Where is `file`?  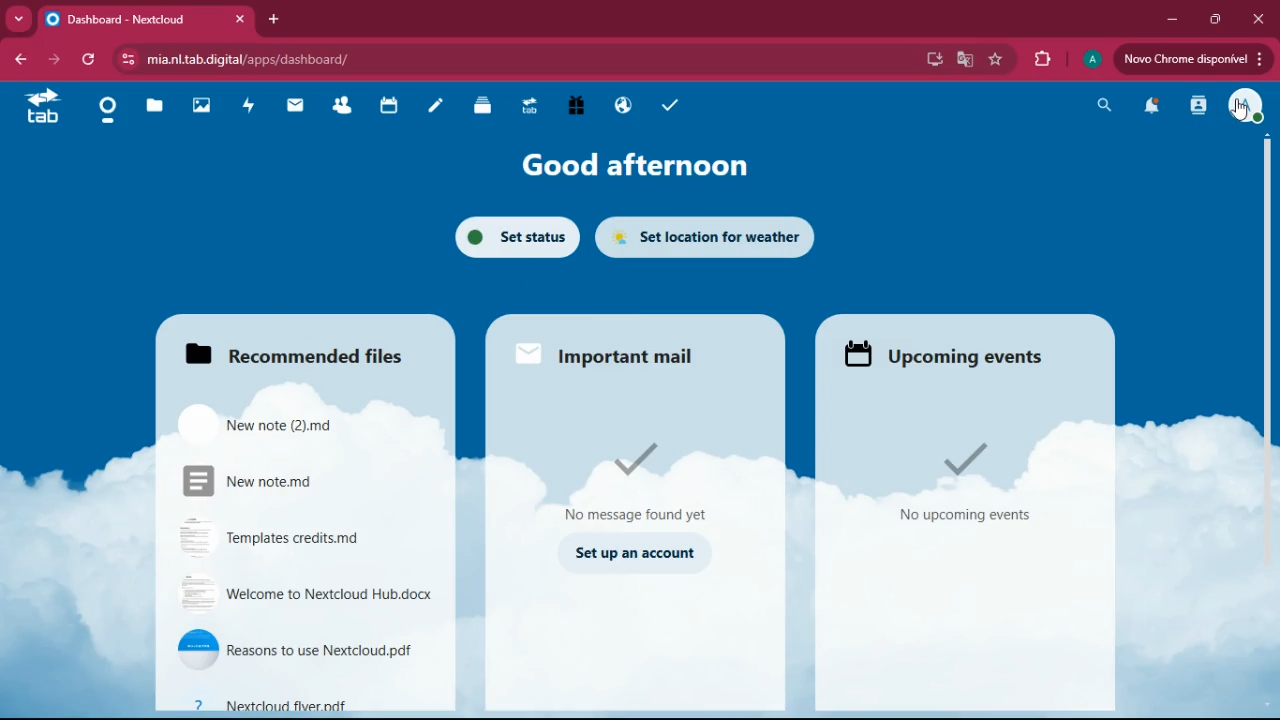
file is located at coordinates (298, 540).